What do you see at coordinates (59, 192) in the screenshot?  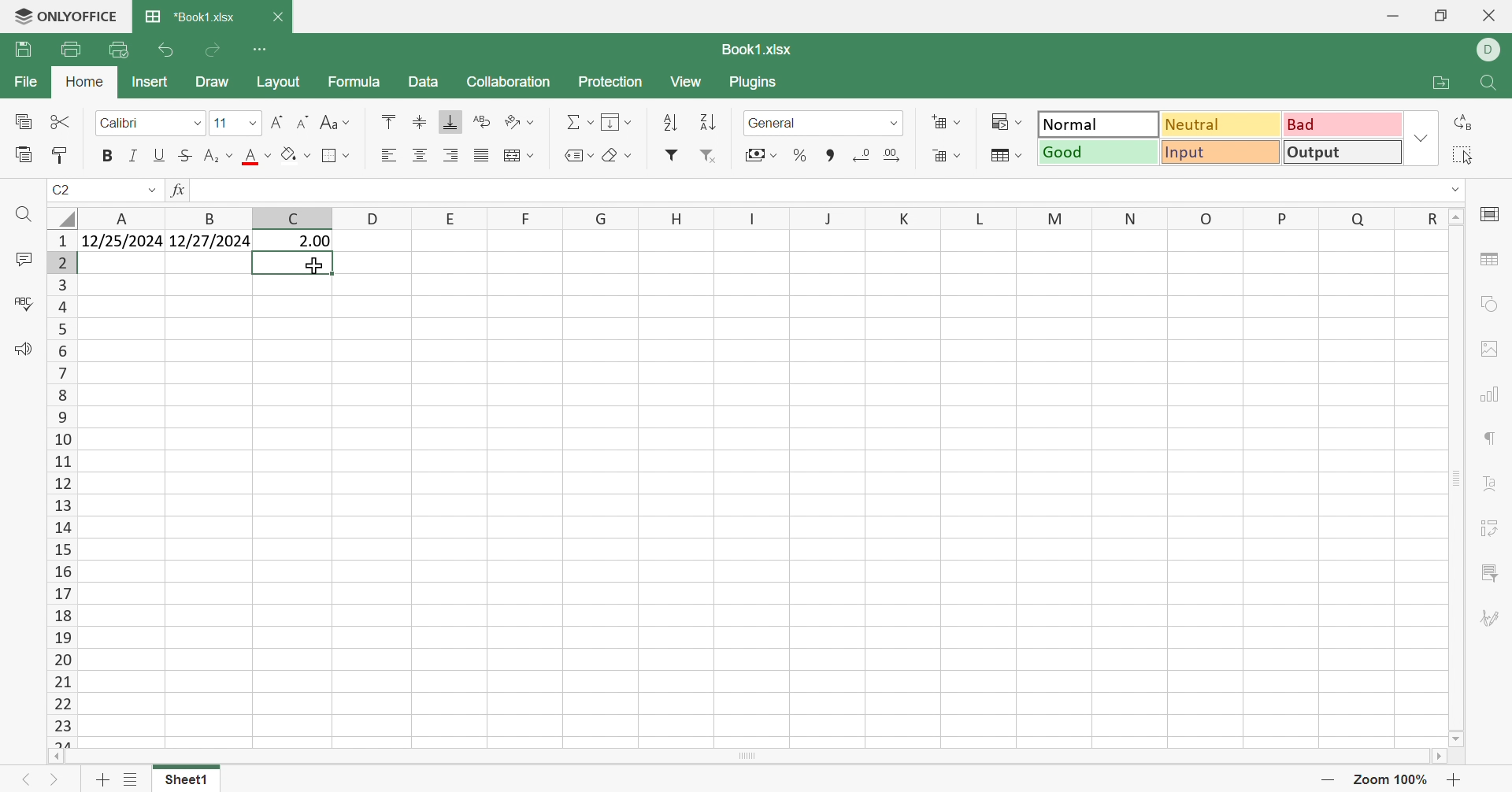 I see `C1` at bounding box center [59, 192].